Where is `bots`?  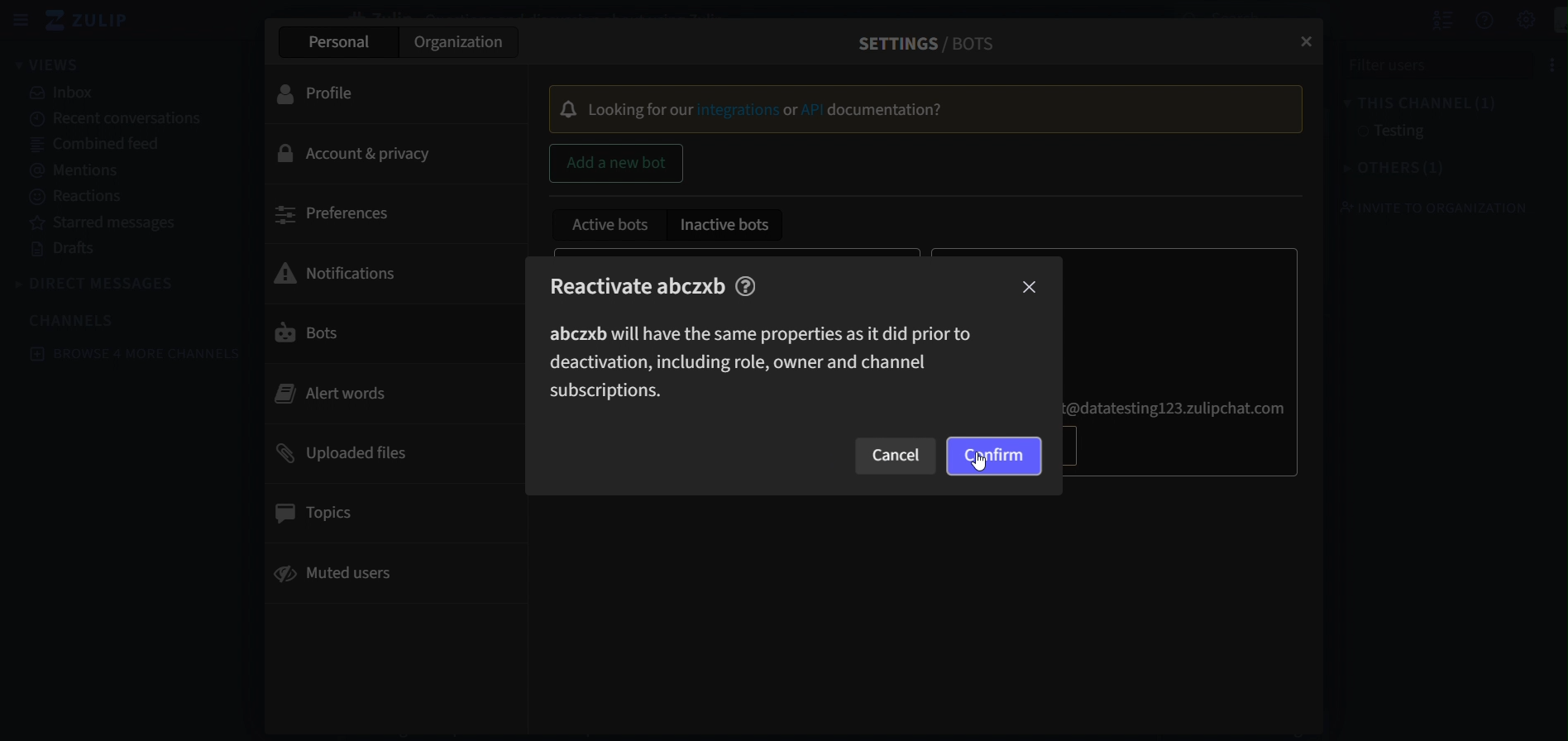 bots is located at coordinates (318, 334).